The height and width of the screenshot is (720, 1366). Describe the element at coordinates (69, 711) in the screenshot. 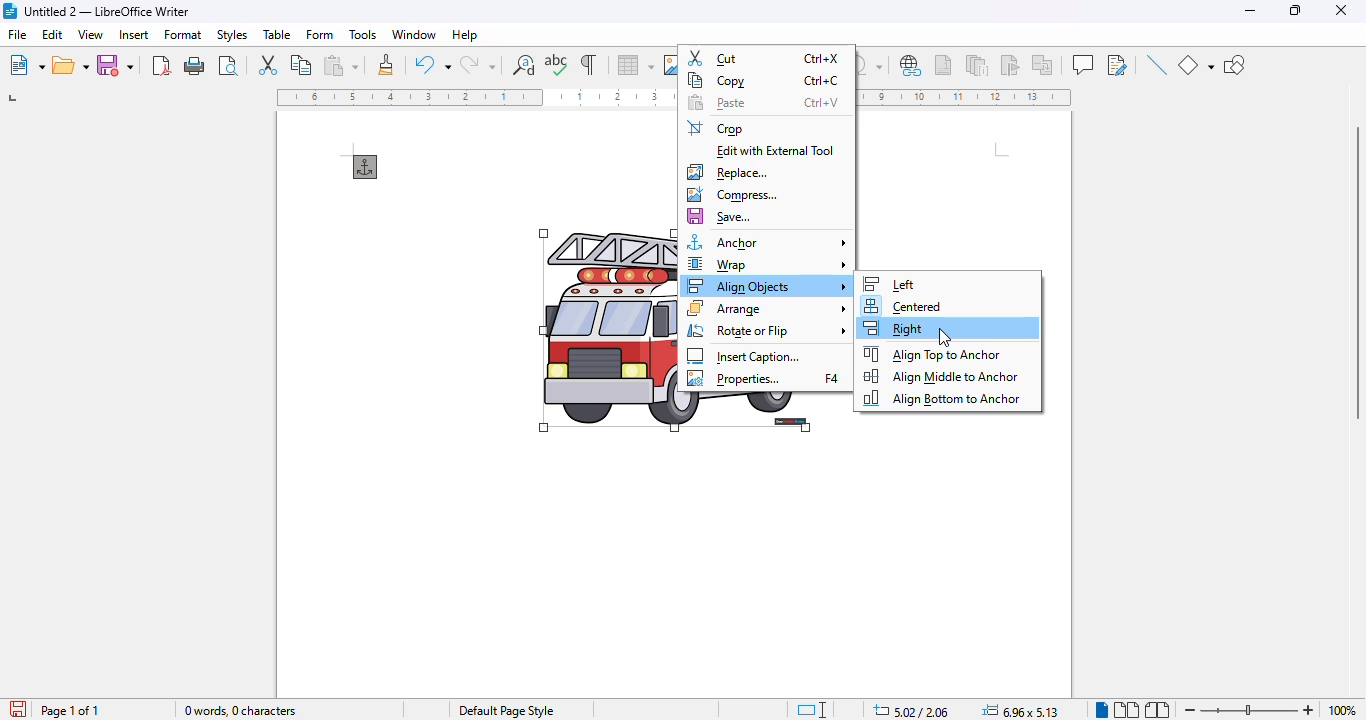

I see `page 1 of 1` at that location.